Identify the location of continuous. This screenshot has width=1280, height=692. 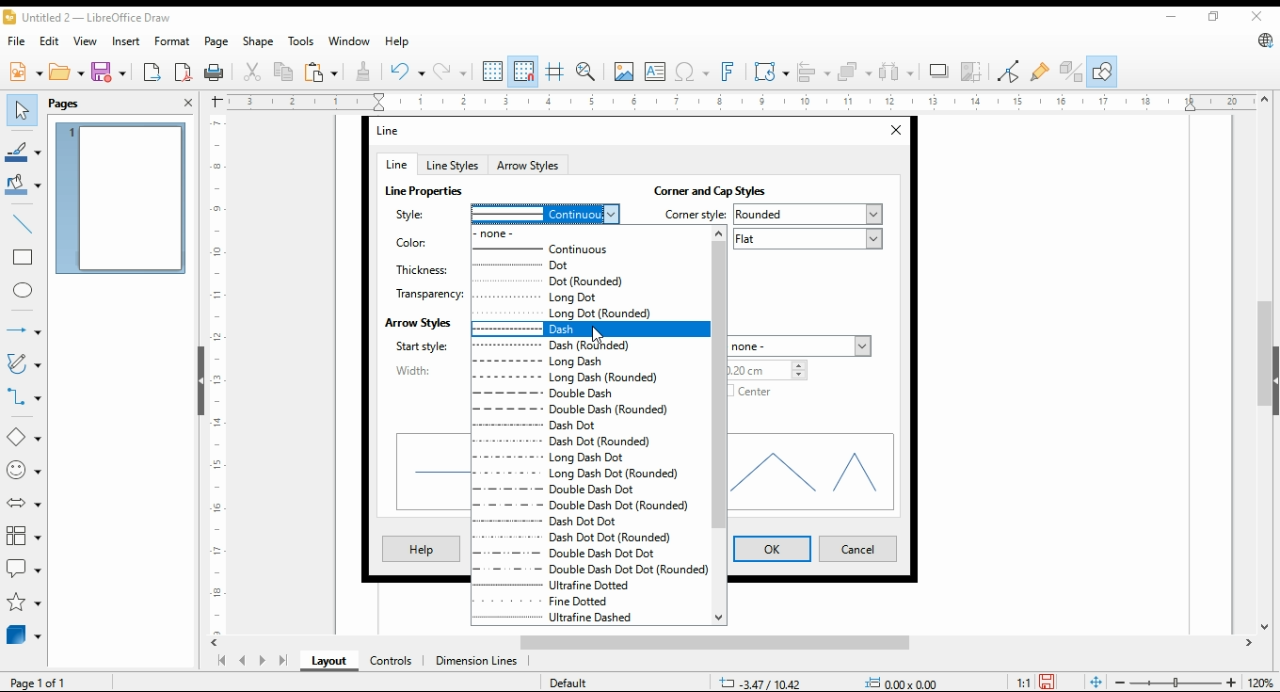
(545, 212).